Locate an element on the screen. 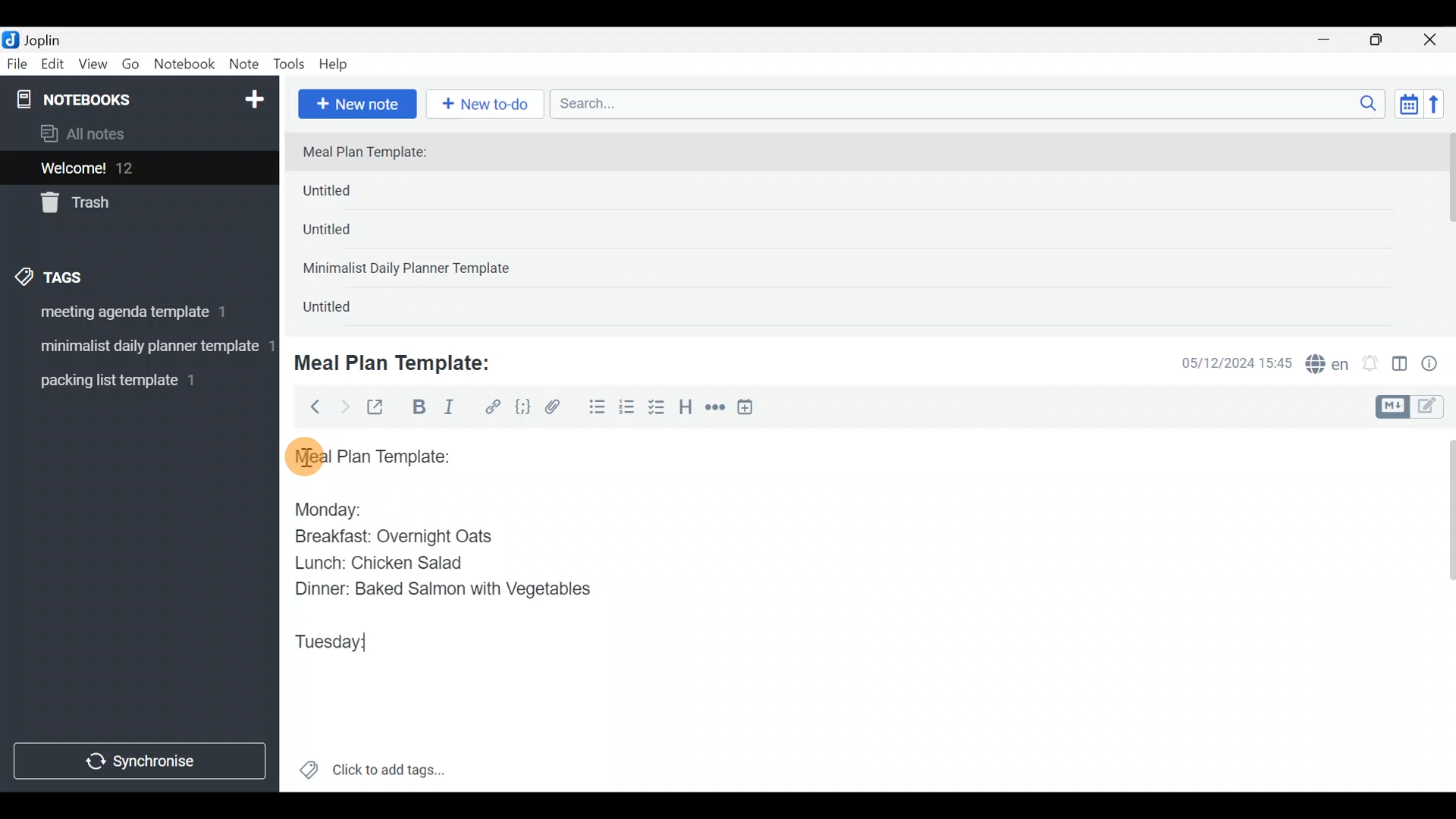  Numbered list is located at coordinates (627, 410).